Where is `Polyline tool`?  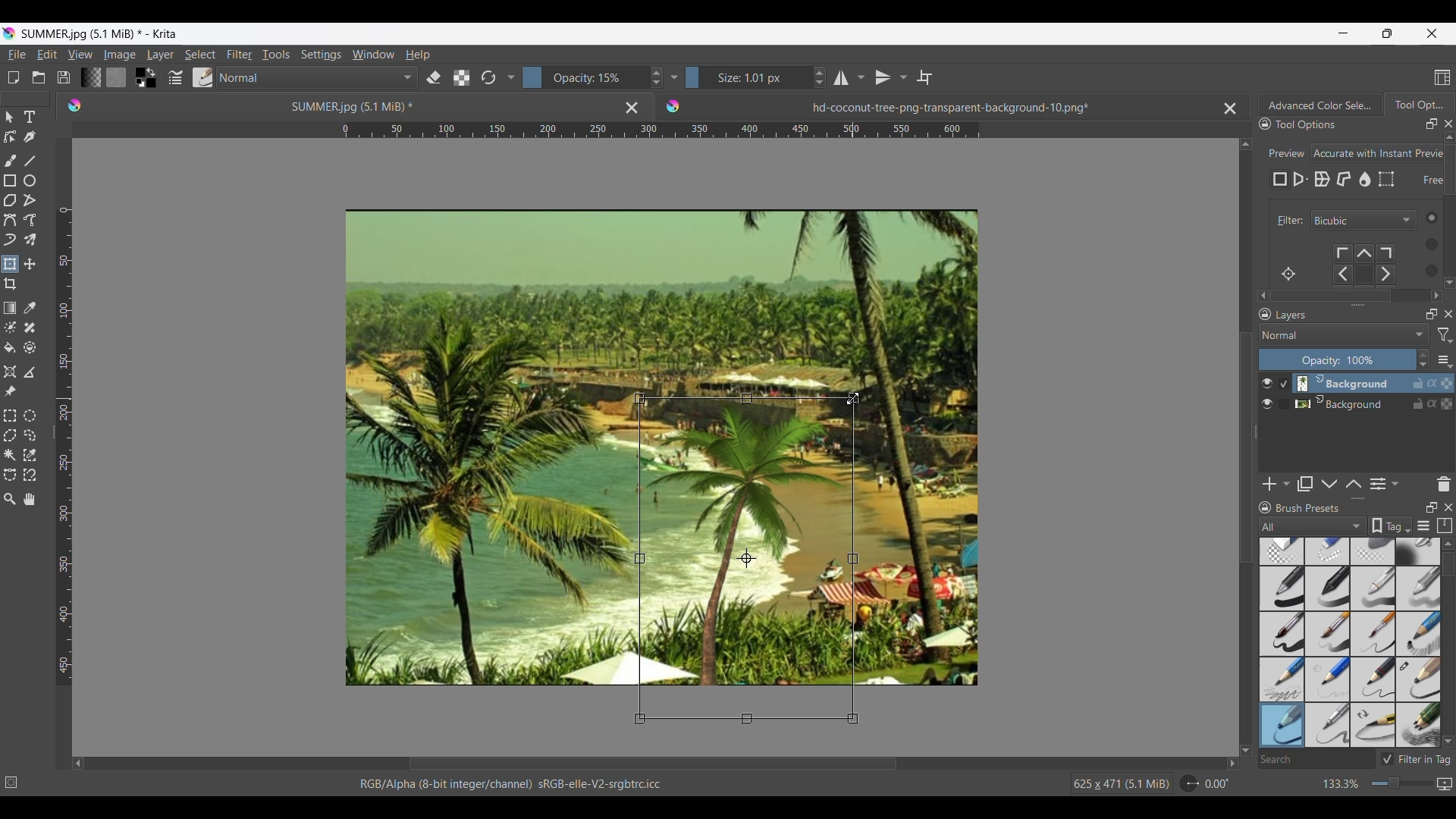
Polyline tool is located at coordinates (30, 199).